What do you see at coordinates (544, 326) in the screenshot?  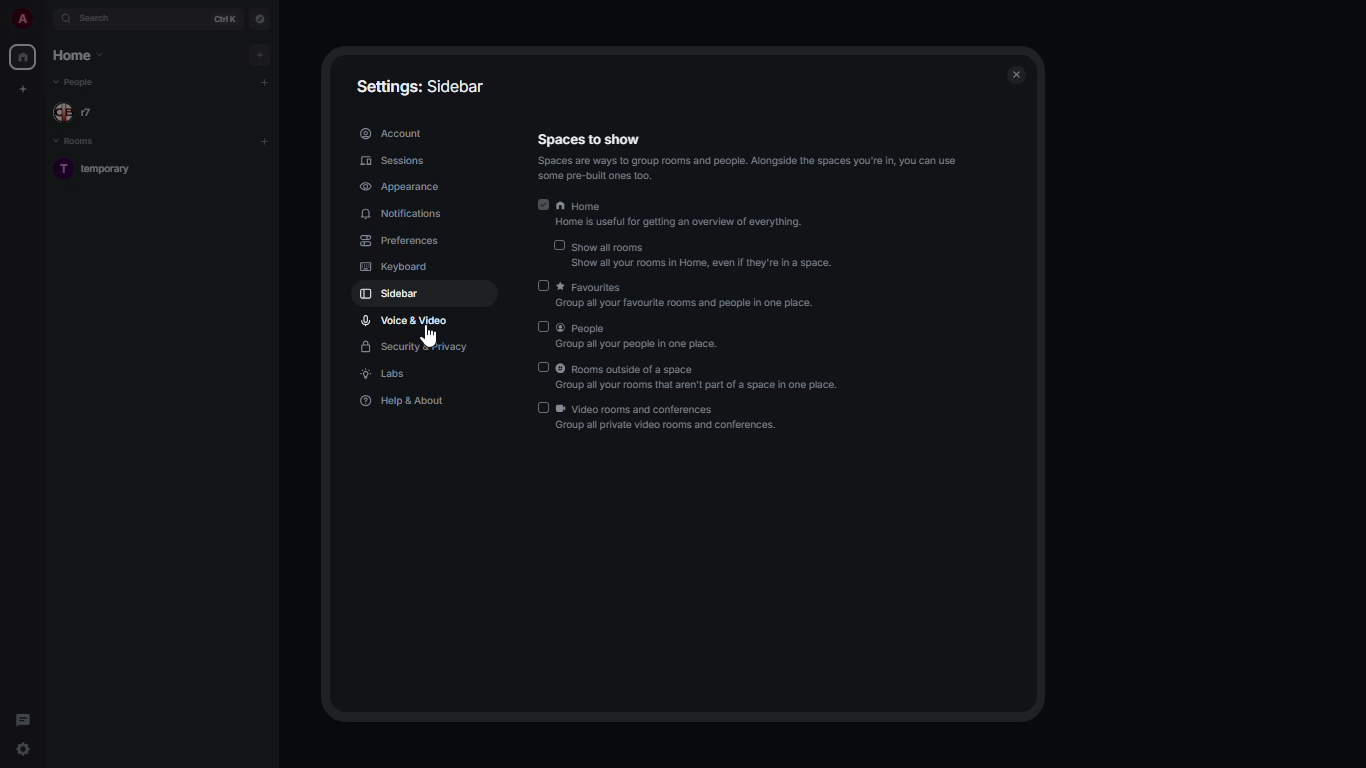 I see `disabled` at bounding box center [544, 326].